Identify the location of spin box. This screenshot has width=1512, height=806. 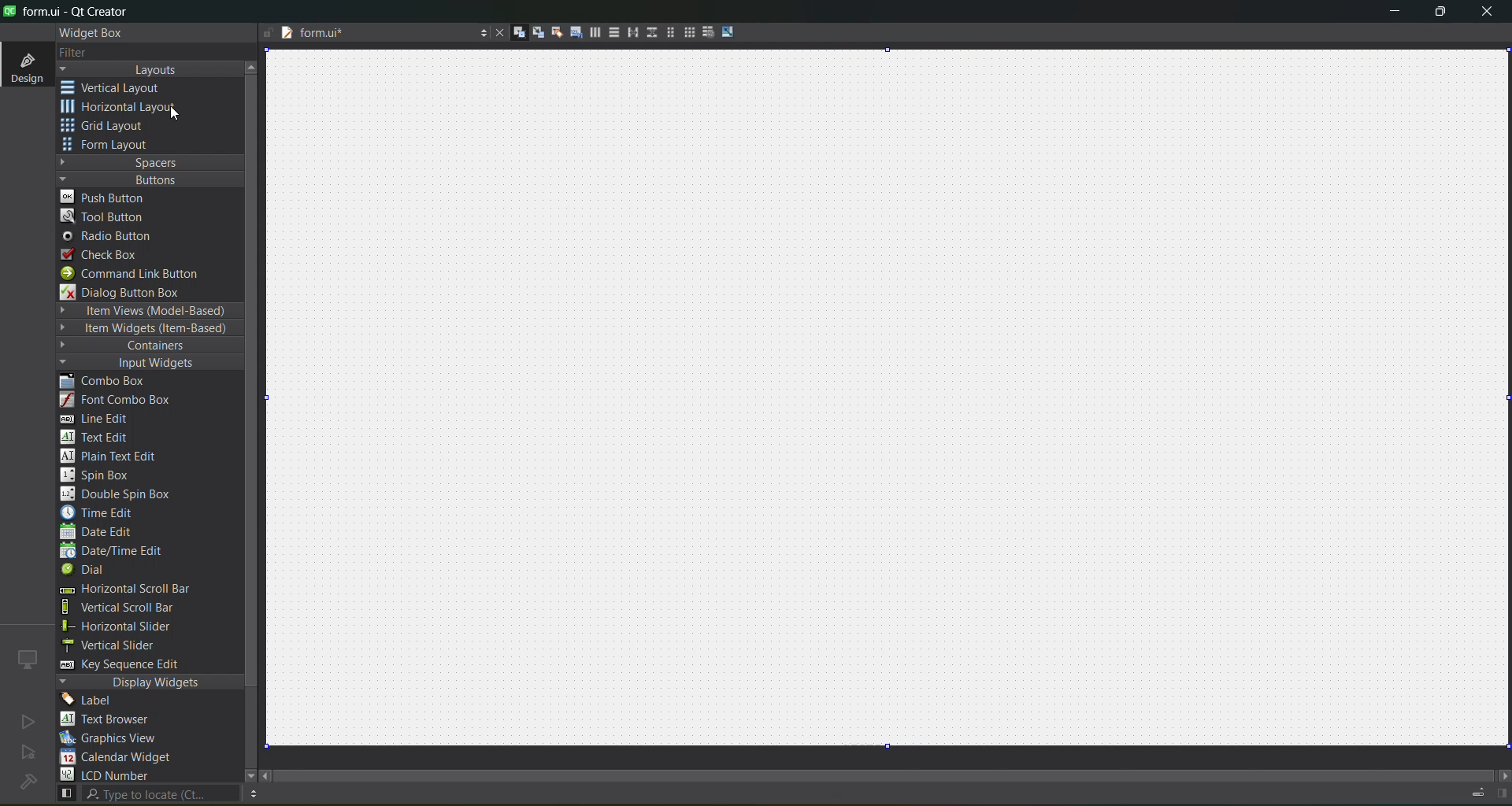
(103, 475).